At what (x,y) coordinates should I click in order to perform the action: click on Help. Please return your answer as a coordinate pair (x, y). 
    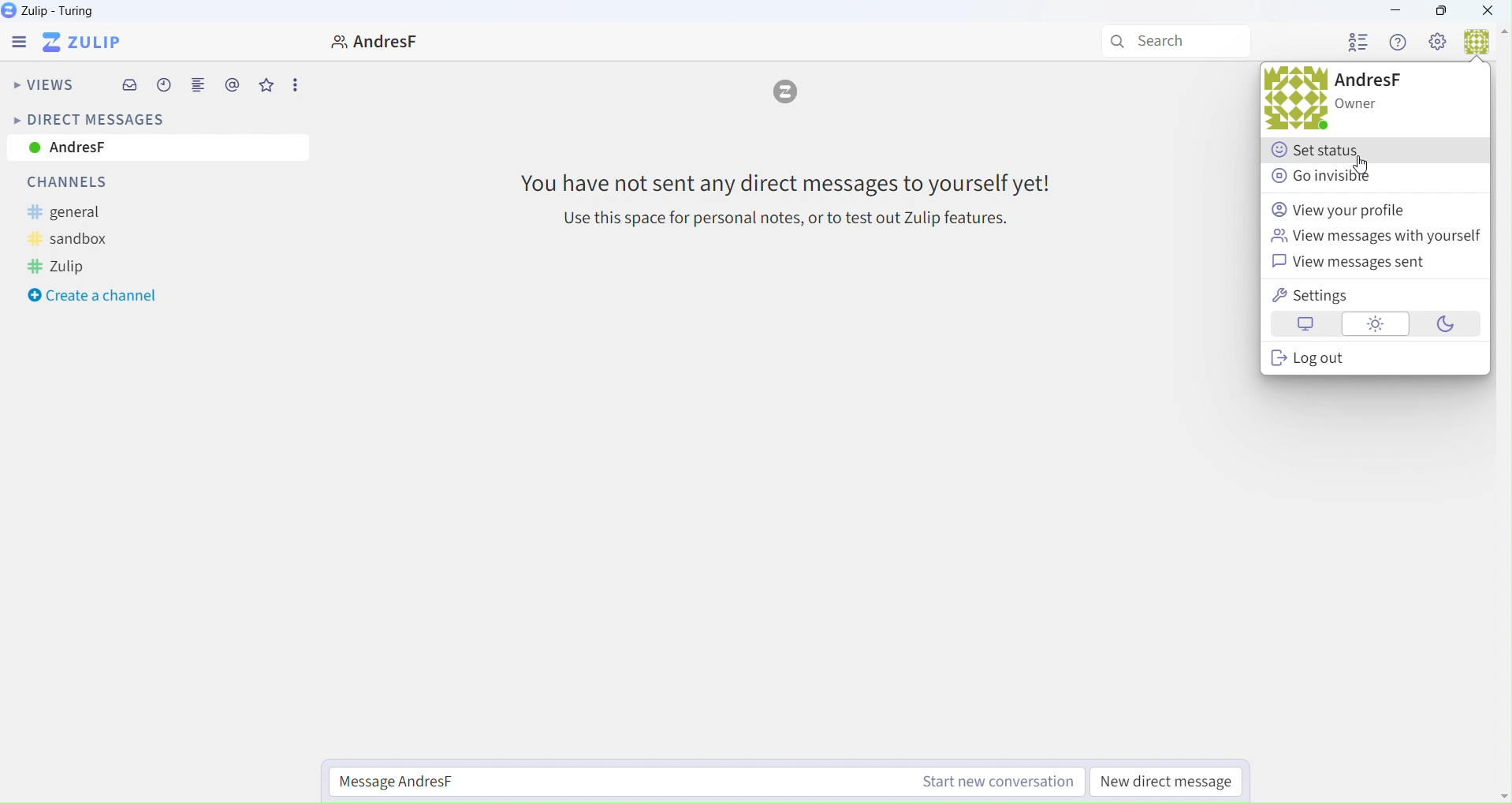
    Looking at the image, I should click on (1398, 43).